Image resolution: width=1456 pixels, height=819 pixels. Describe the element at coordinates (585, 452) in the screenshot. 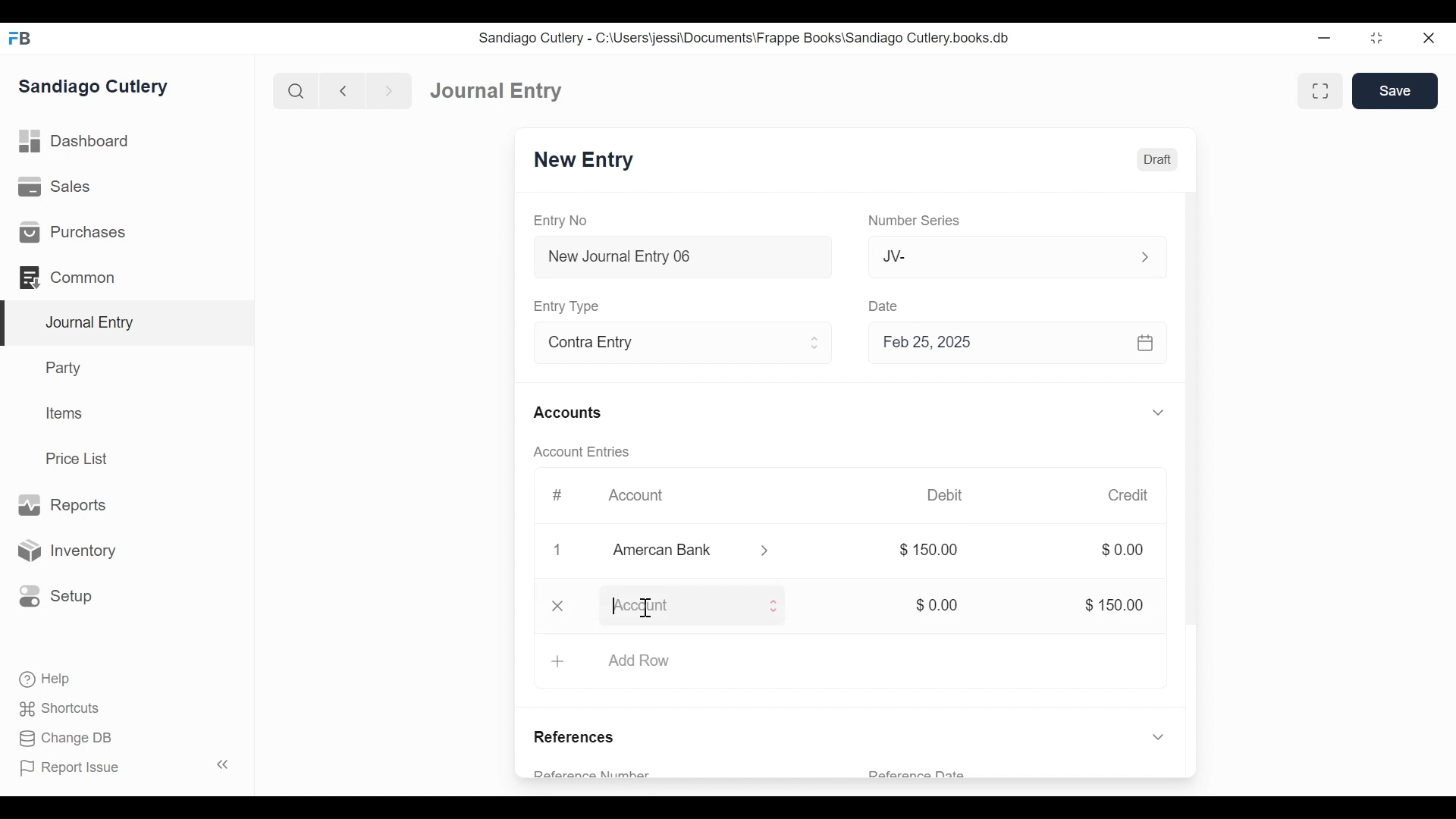

I see `Account Entries` at that location.